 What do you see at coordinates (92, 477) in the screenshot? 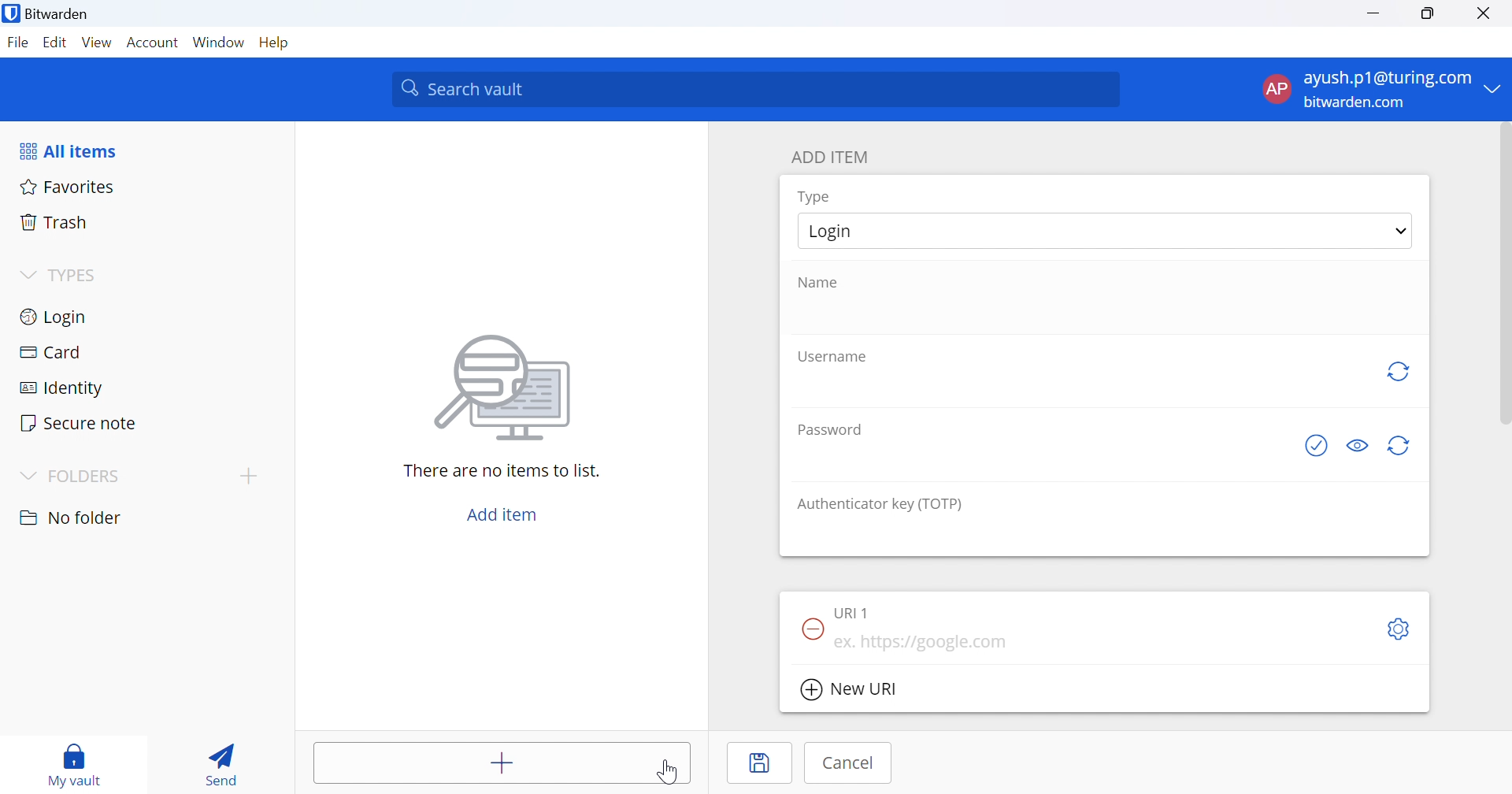
I see `FOLDERS` at bounding box center [92, 477].